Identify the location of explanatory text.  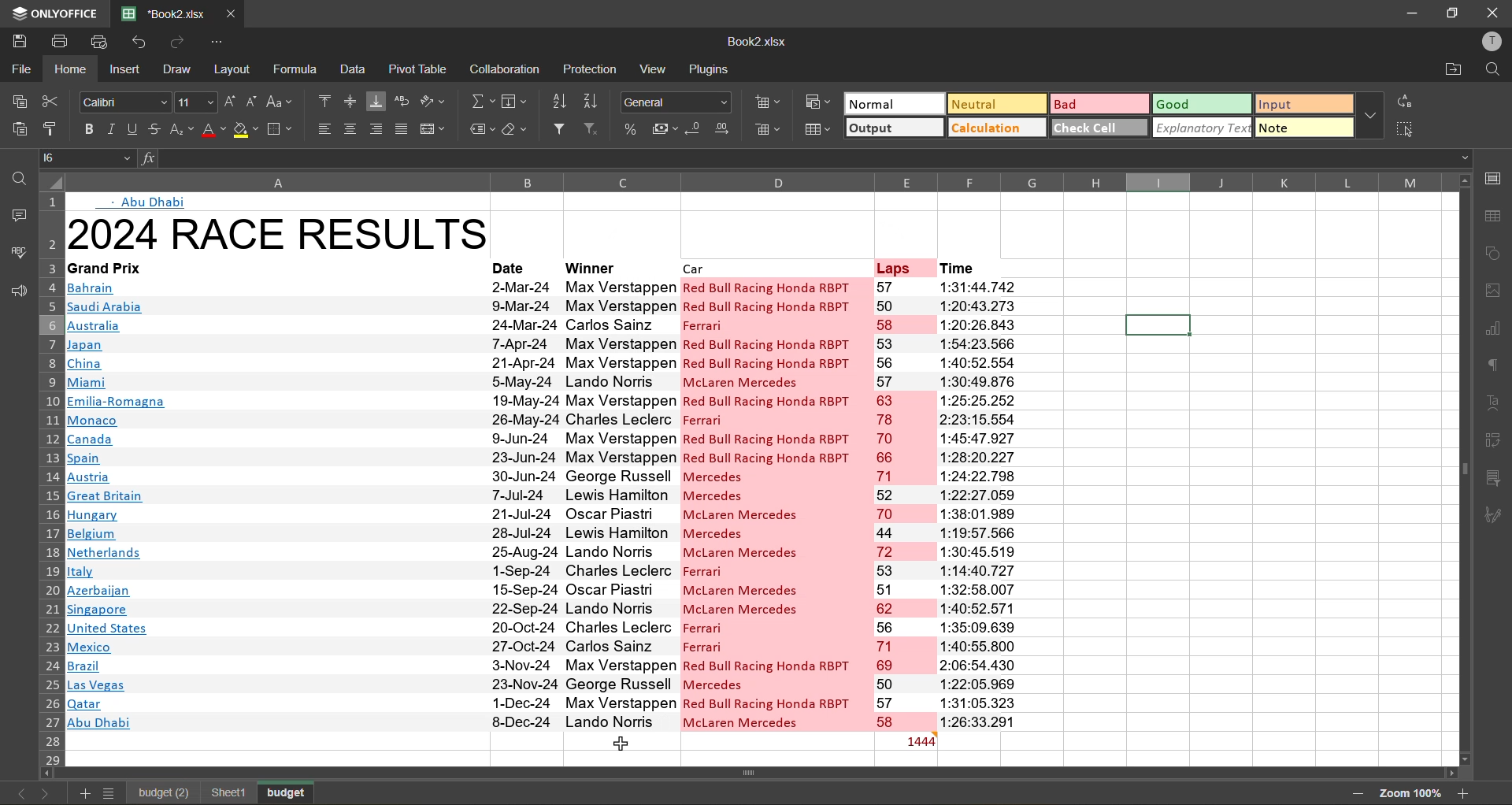
(1203, 127).